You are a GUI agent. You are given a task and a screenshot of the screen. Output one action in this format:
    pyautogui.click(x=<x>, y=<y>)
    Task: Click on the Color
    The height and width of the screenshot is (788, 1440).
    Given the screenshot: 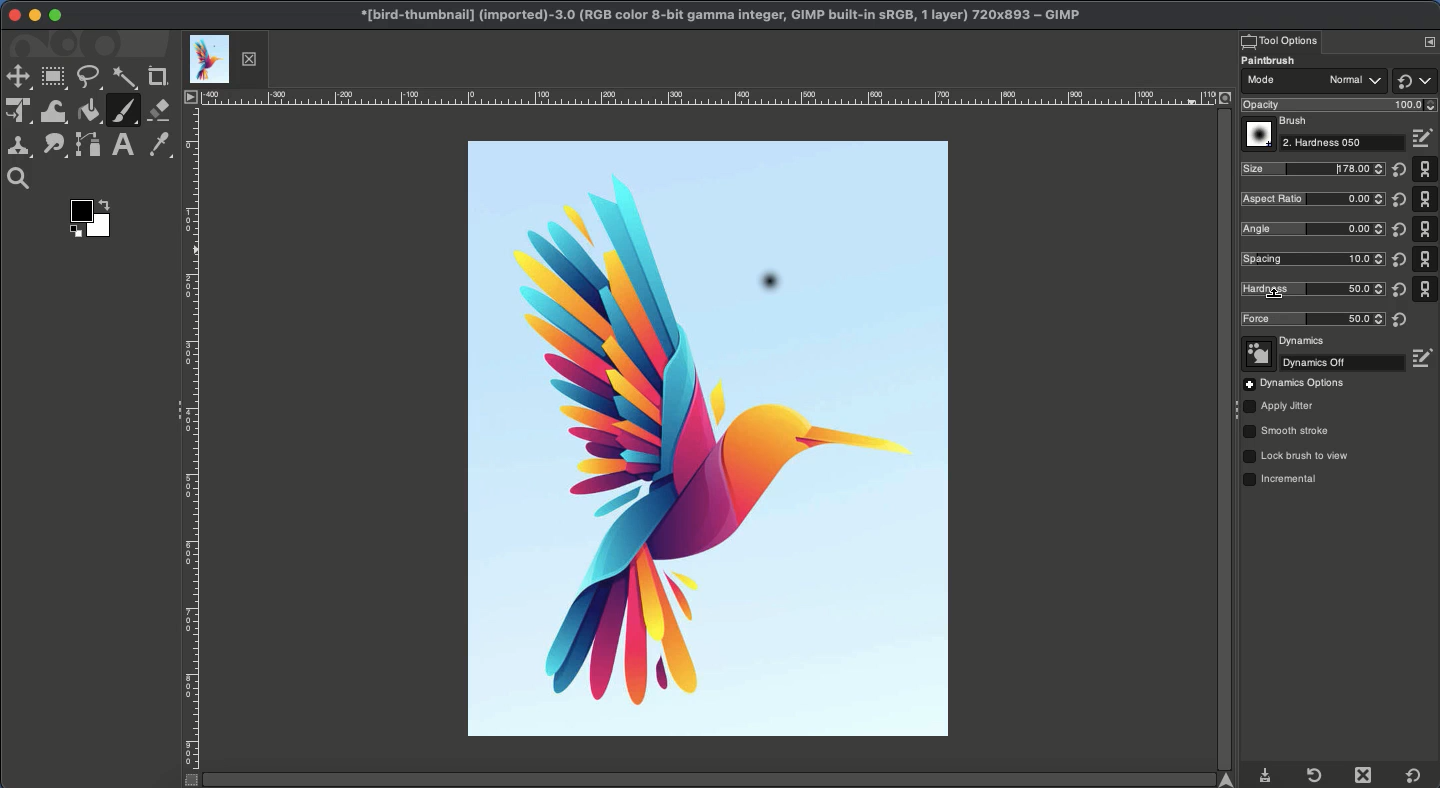 What is the action you would take?
    pyautogui.click(x=95, y=218)
    